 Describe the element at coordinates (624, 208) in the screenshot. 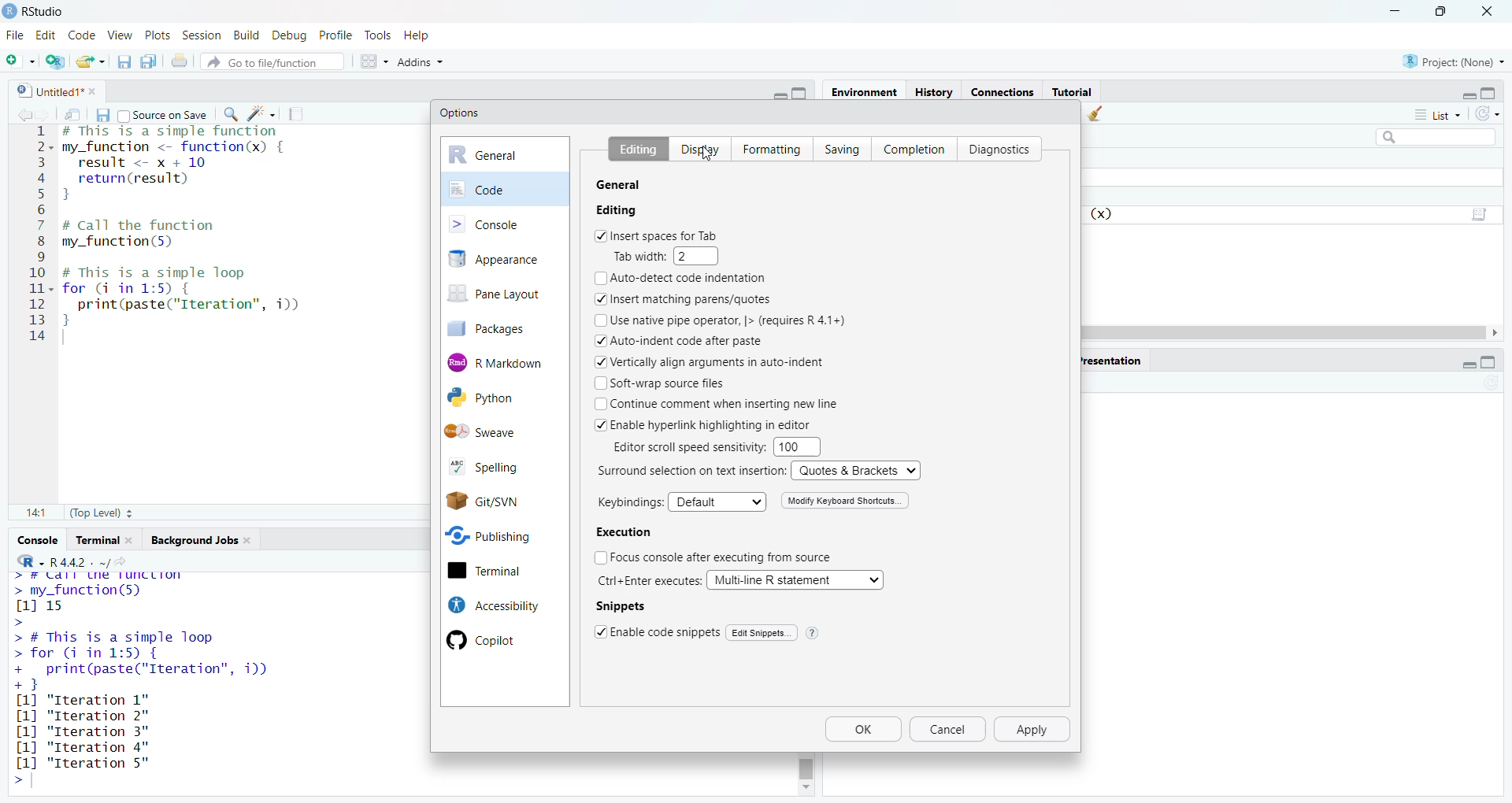

I see `R version:` at that location.